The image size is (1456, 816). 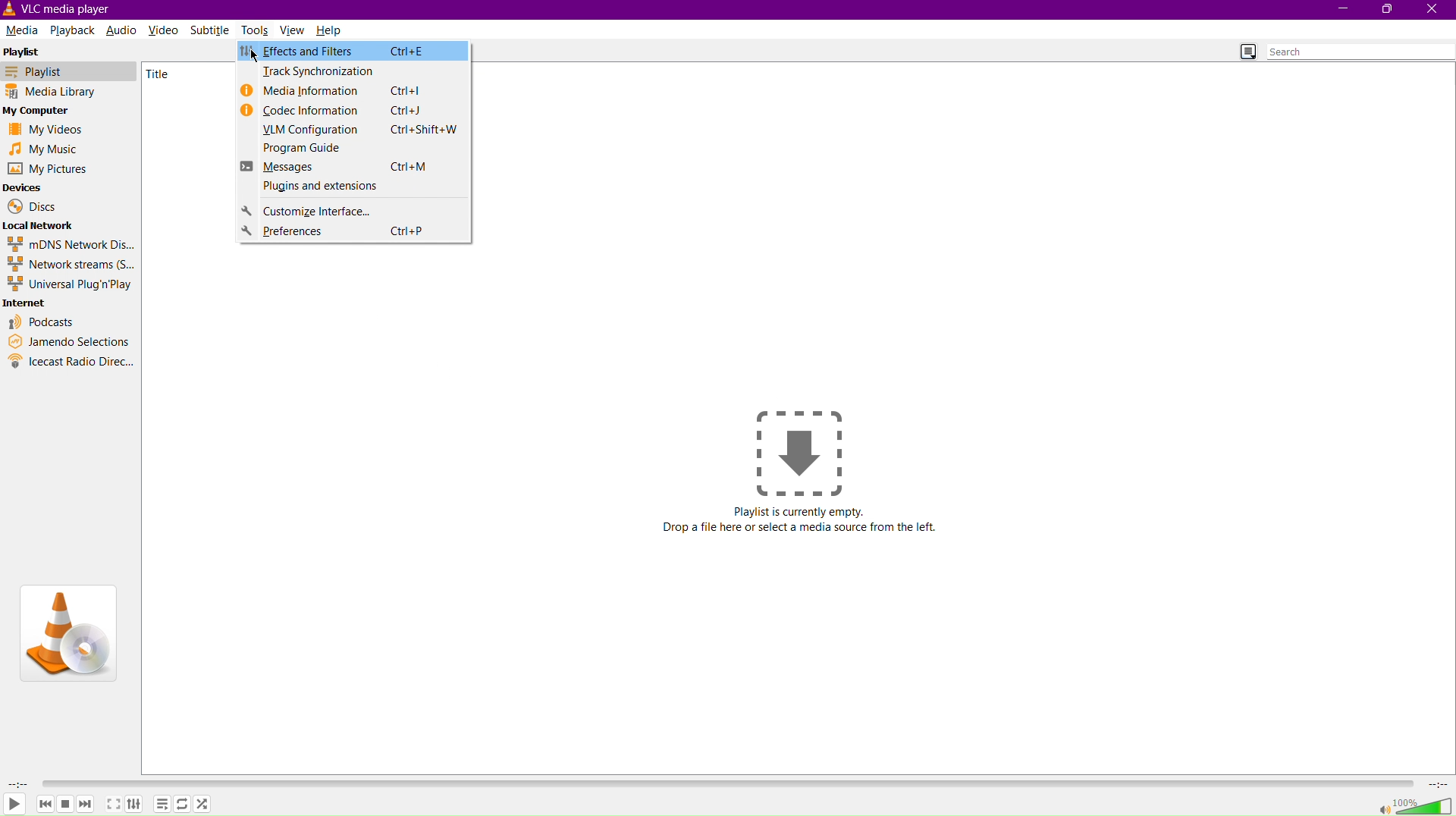 I want to click on Subtitle, so click(x=215, y=30).